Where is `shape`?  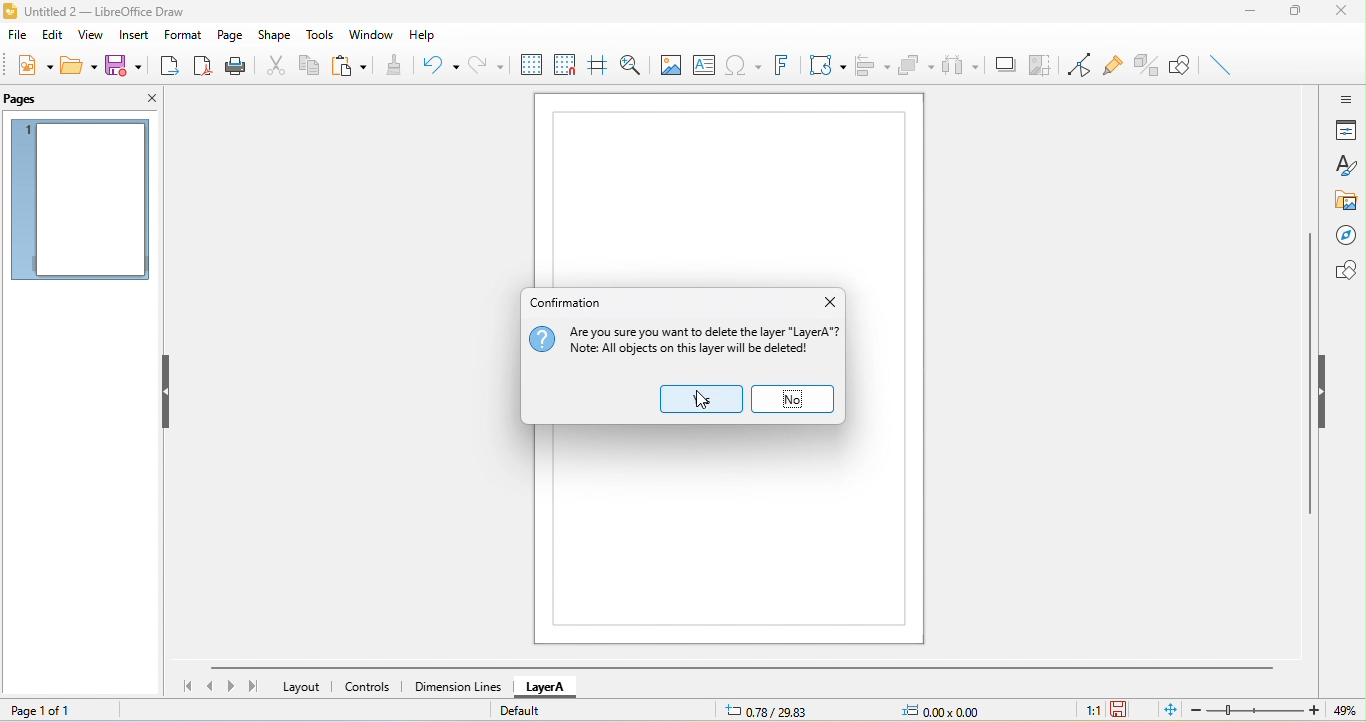 shape is located at coordinates (274, 33).